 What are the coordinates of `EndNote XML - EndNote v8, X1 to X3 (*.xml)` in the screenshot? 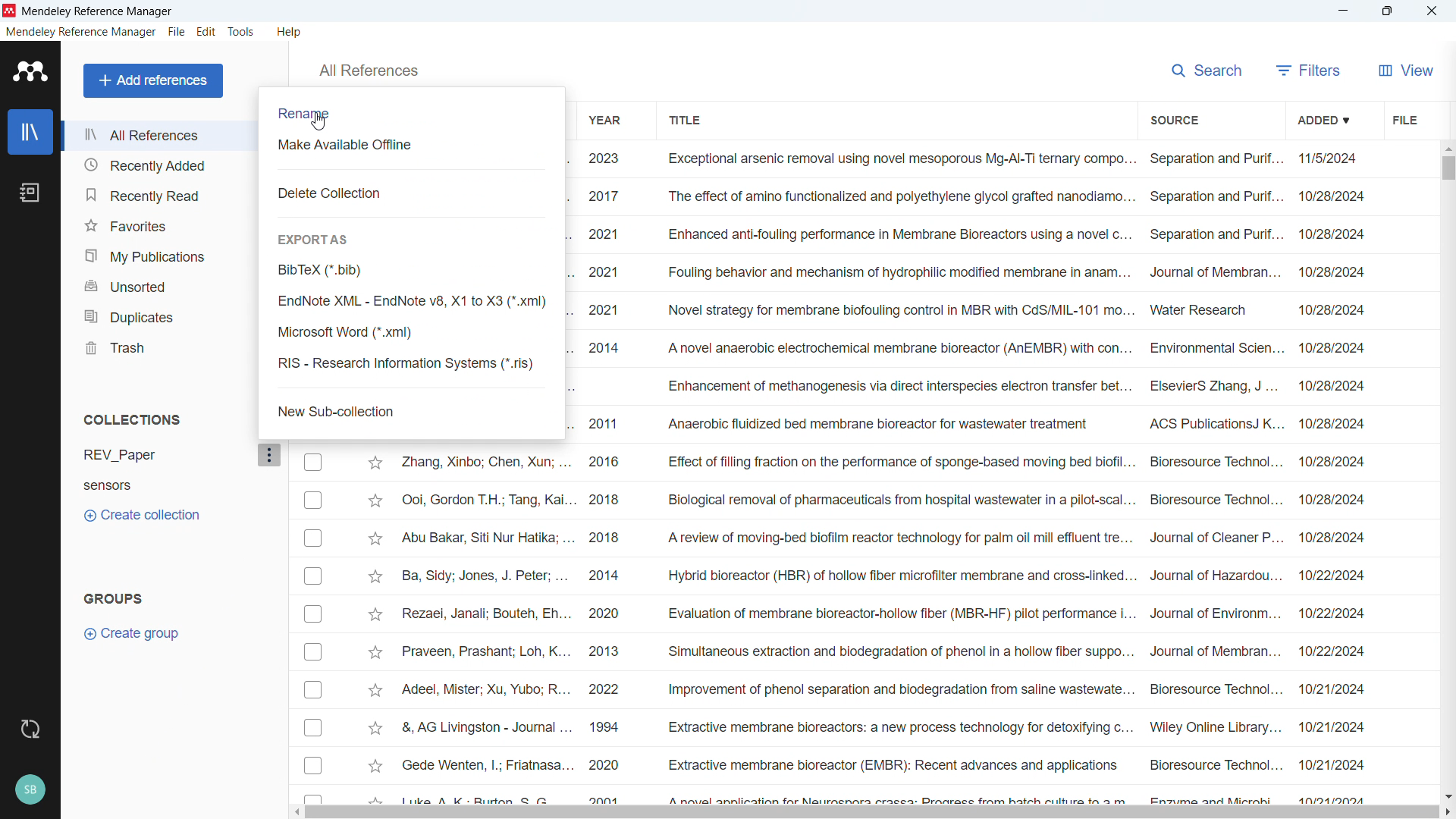 It's located at (411, 302).